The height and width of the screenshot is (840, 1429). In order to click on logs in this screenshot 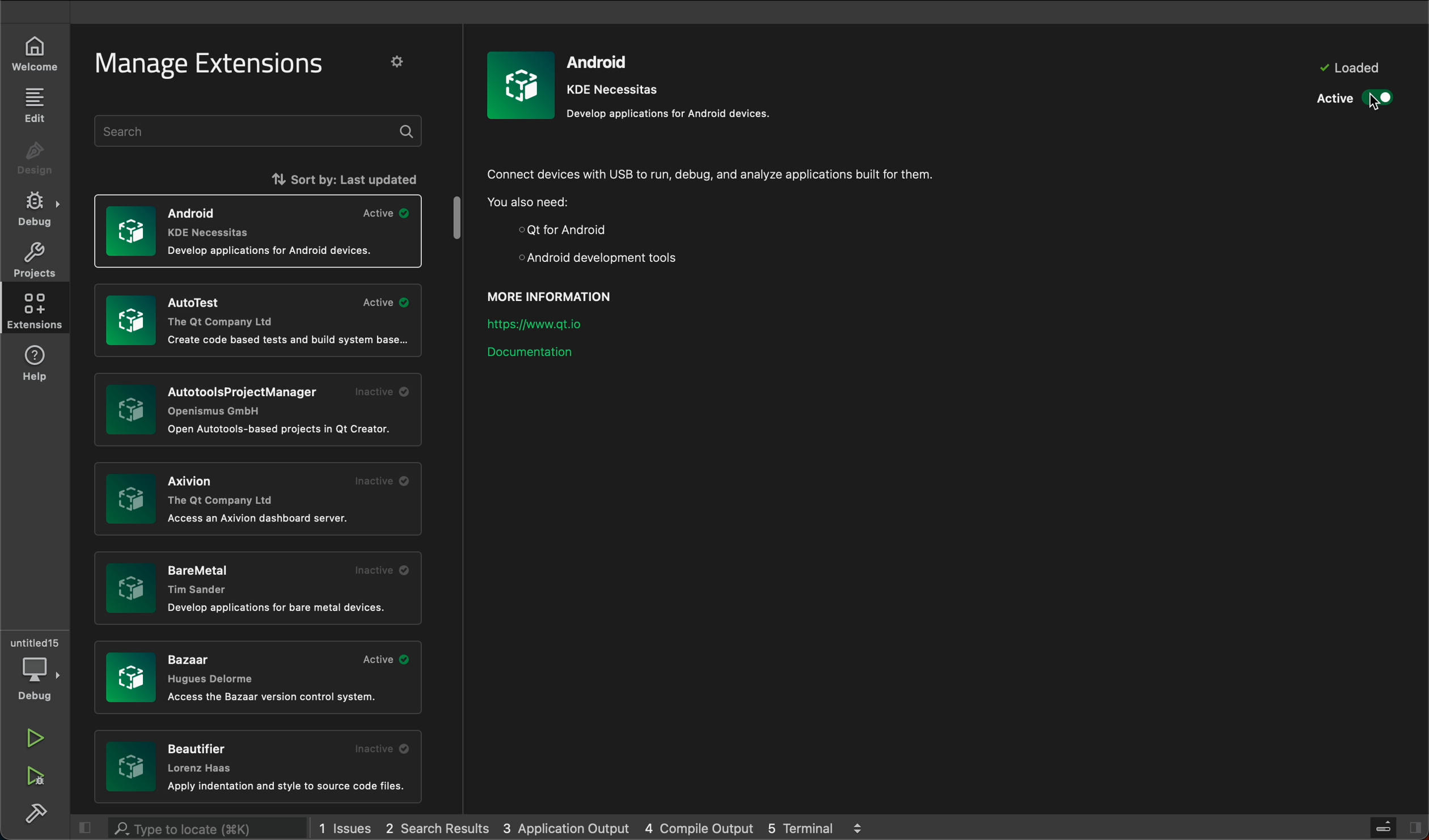, I will do `click(704, 827)`.